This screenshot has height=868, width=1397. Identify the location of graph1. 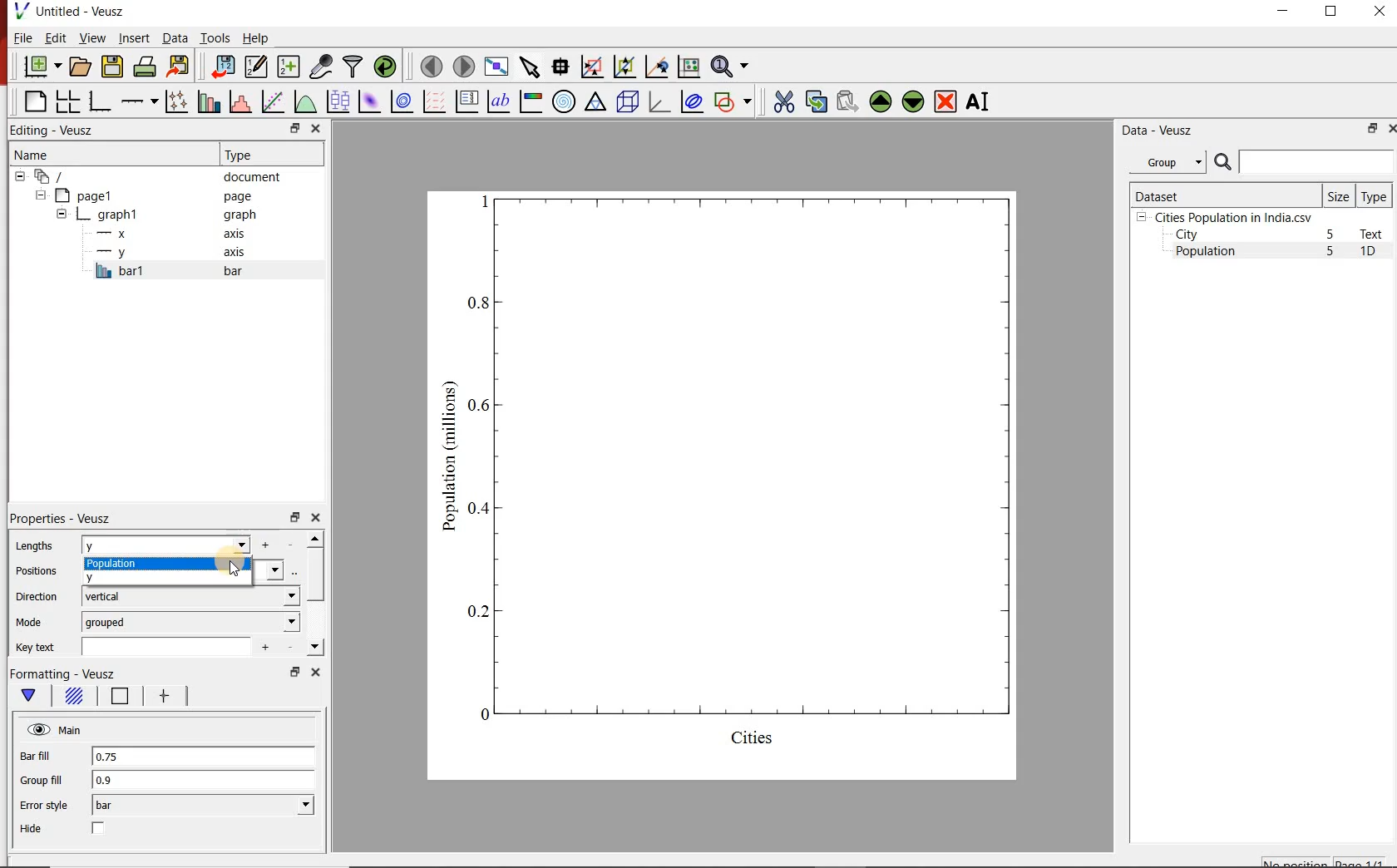
(159, 215).